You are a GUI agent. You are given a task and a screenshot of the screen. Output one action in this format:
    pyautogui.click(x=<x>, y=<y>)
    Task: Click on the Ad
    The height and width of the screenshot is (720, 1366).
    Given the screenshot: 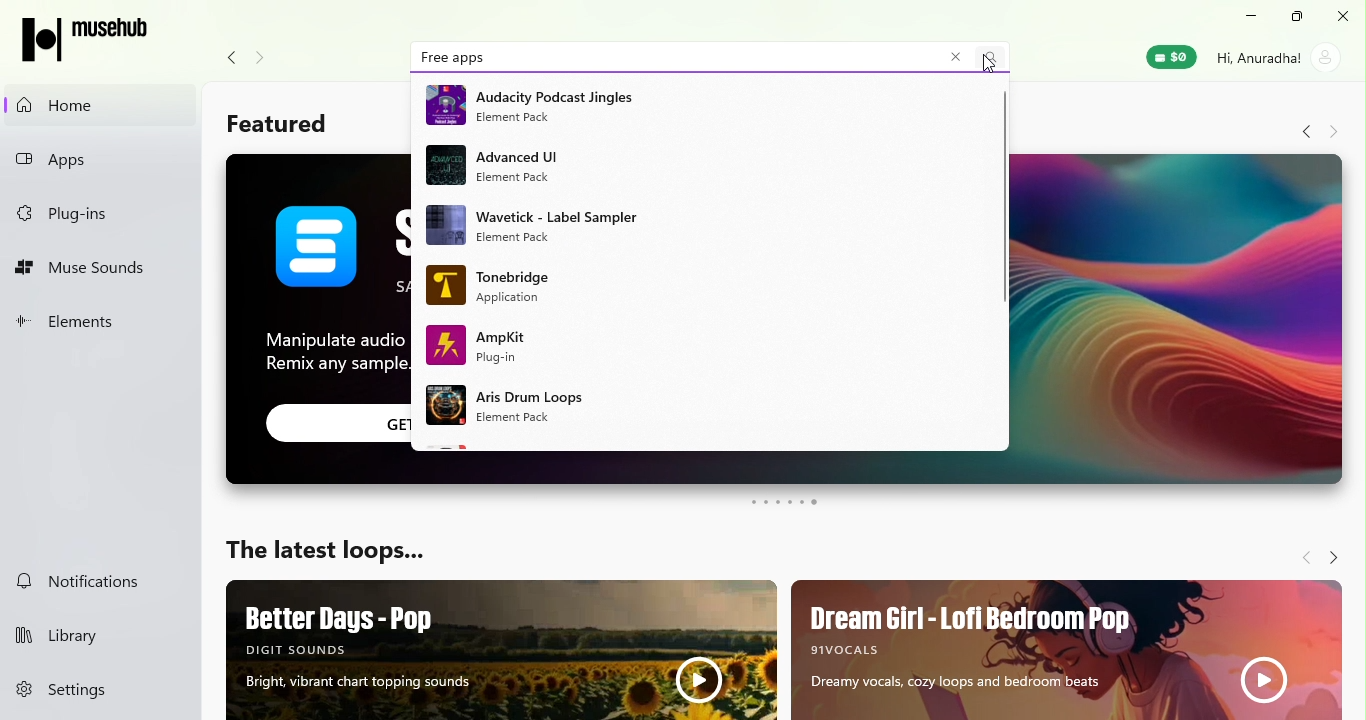 What is the action you would take?
    pyautogui.click(x=683, y=410)
    